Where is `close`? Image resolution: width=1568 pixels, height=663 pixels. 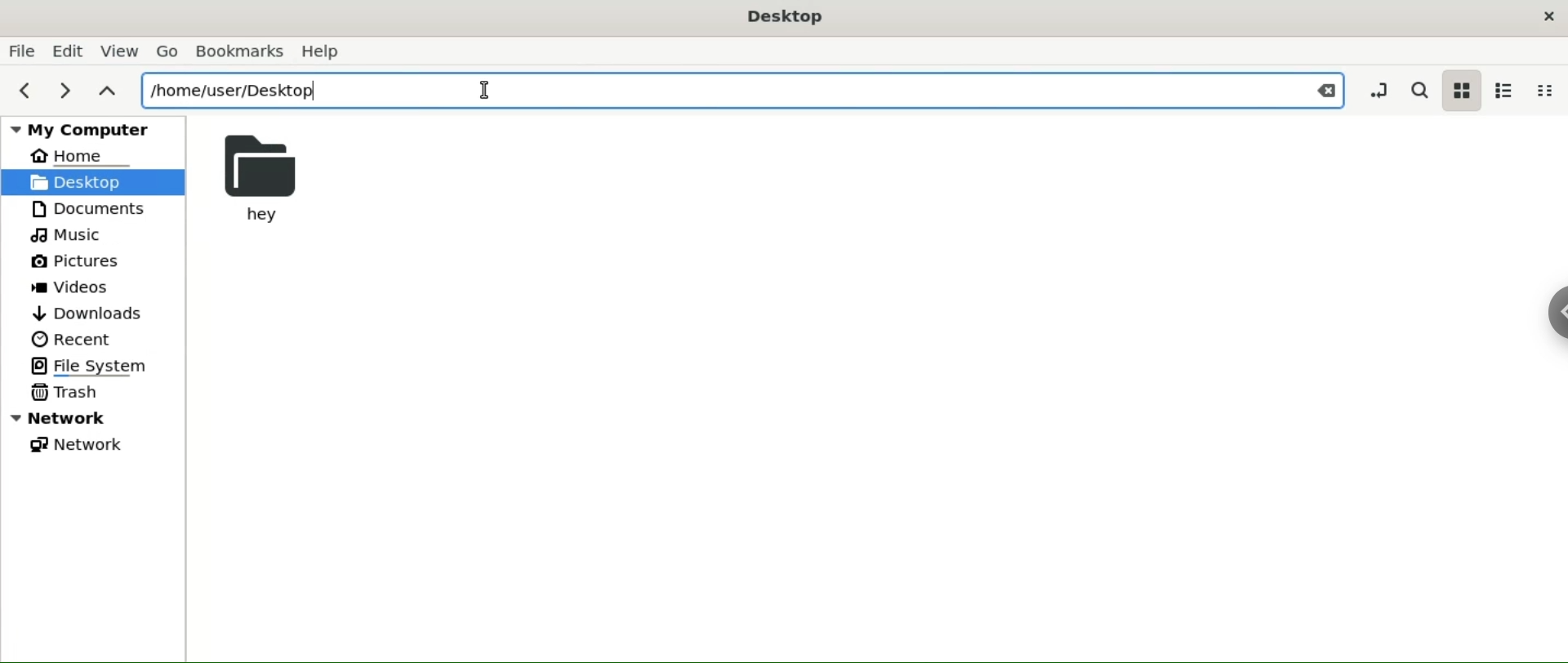 close is located at coordinates (1550, 16).